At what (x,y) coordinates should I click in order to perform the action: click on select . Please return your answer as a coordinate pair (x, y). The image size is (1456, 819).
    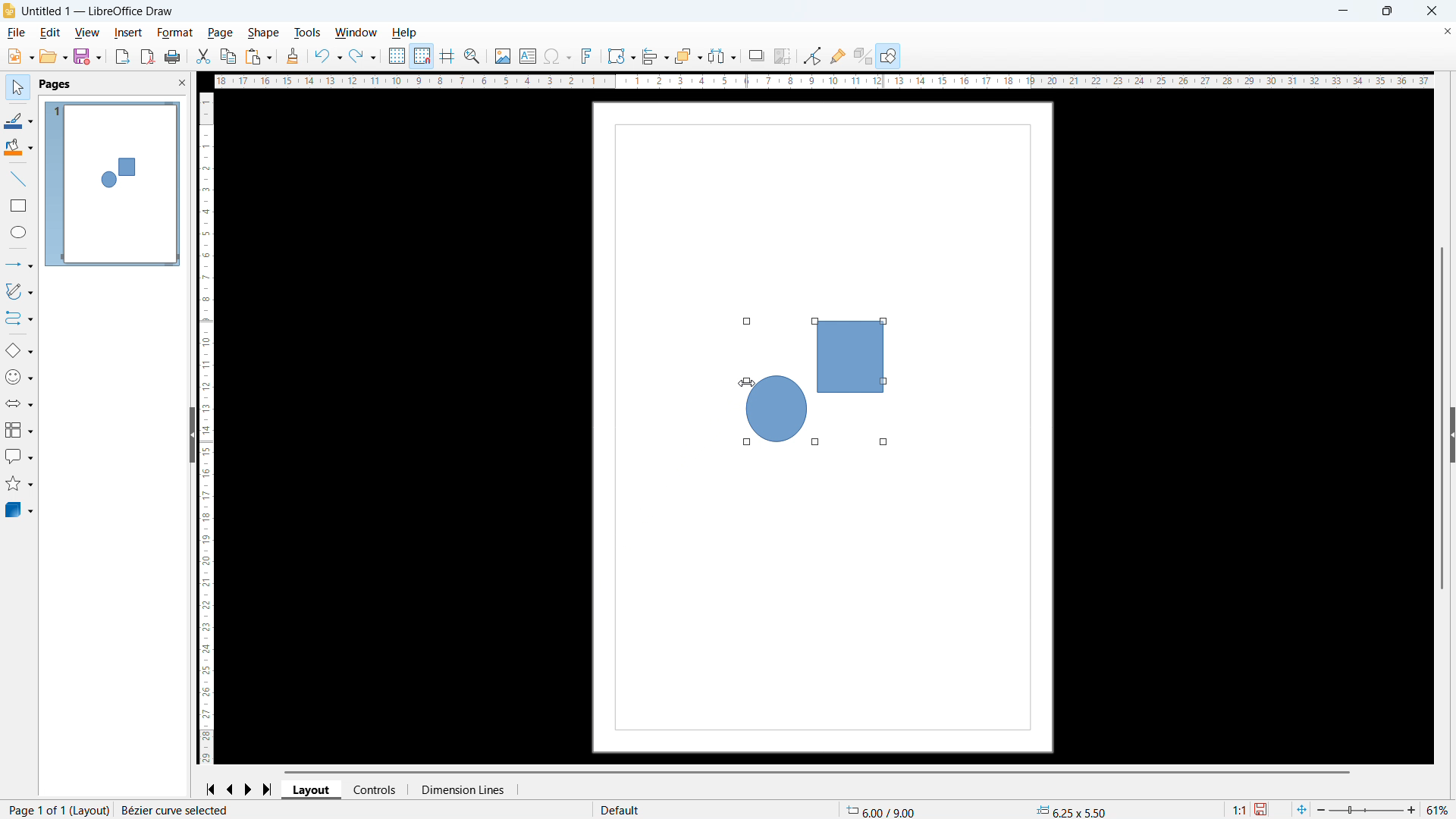
    Looking at the image, I should click on (19, 88).